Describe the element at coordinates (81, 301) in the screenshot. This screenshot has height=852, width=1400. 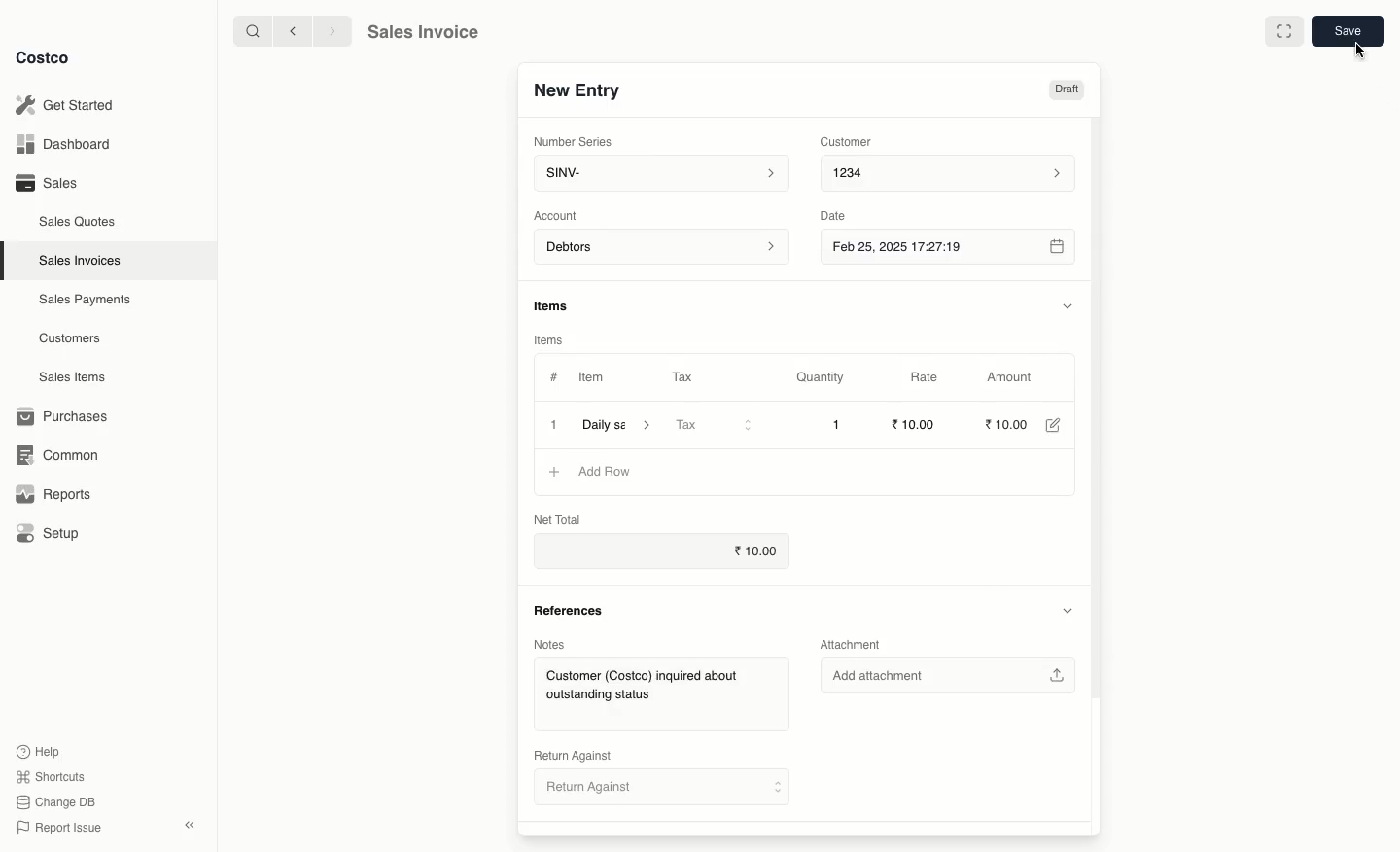
I see `Sales Payments` at that location.